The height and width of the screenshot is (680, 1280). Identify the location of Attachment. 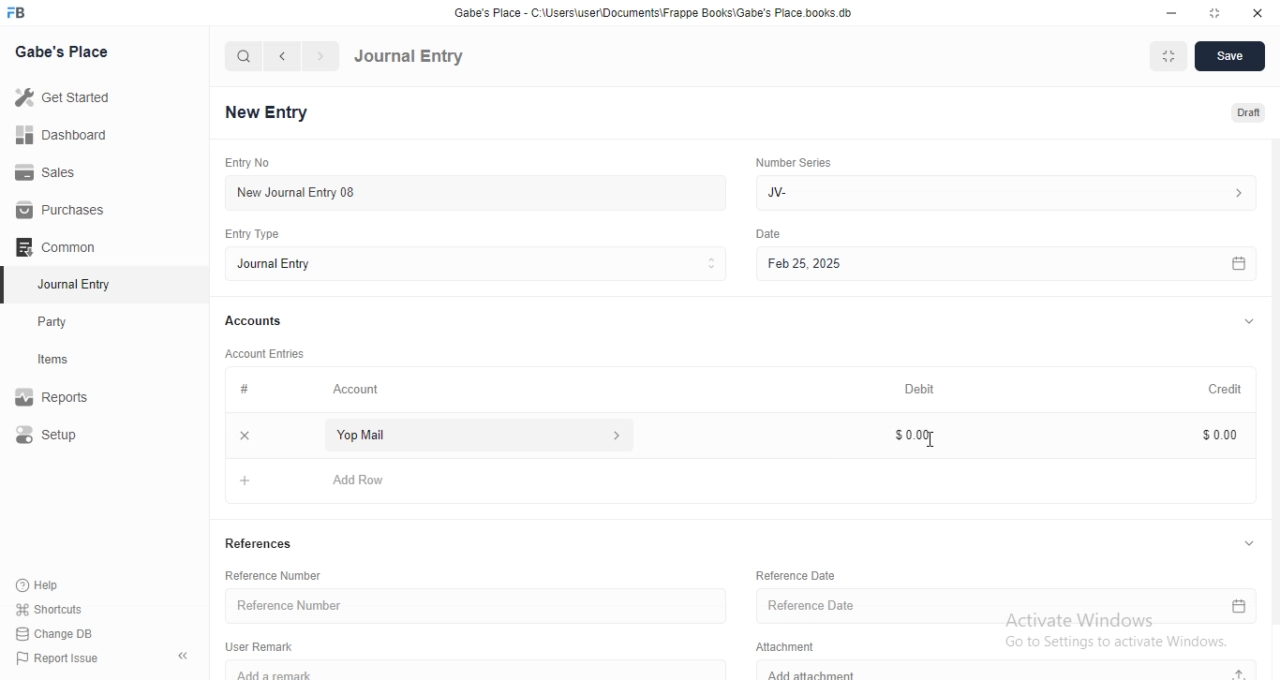
(781, 647).